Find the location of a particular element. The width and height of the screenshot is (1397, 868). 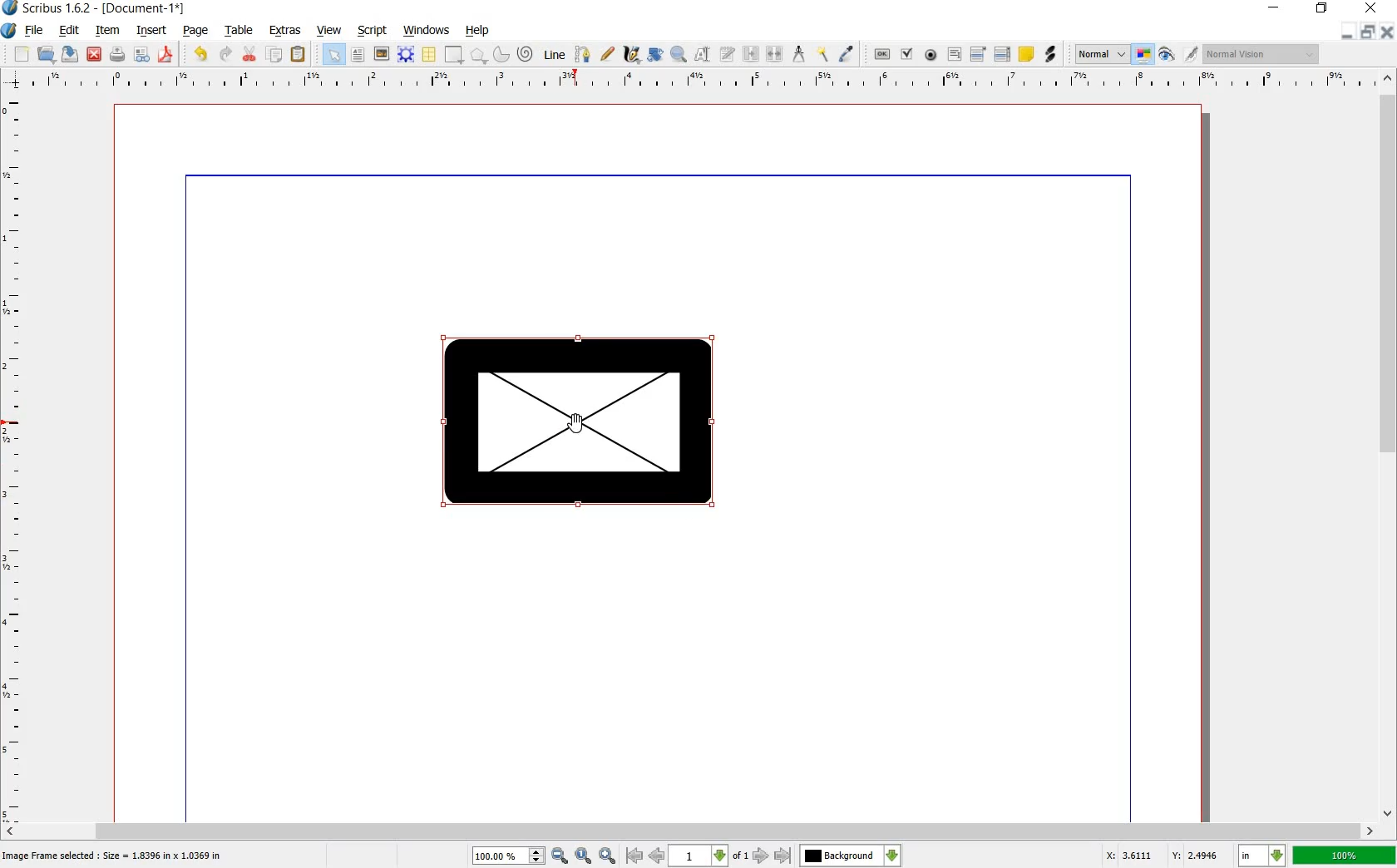

save as pdf is located at coordinates (166, 56).